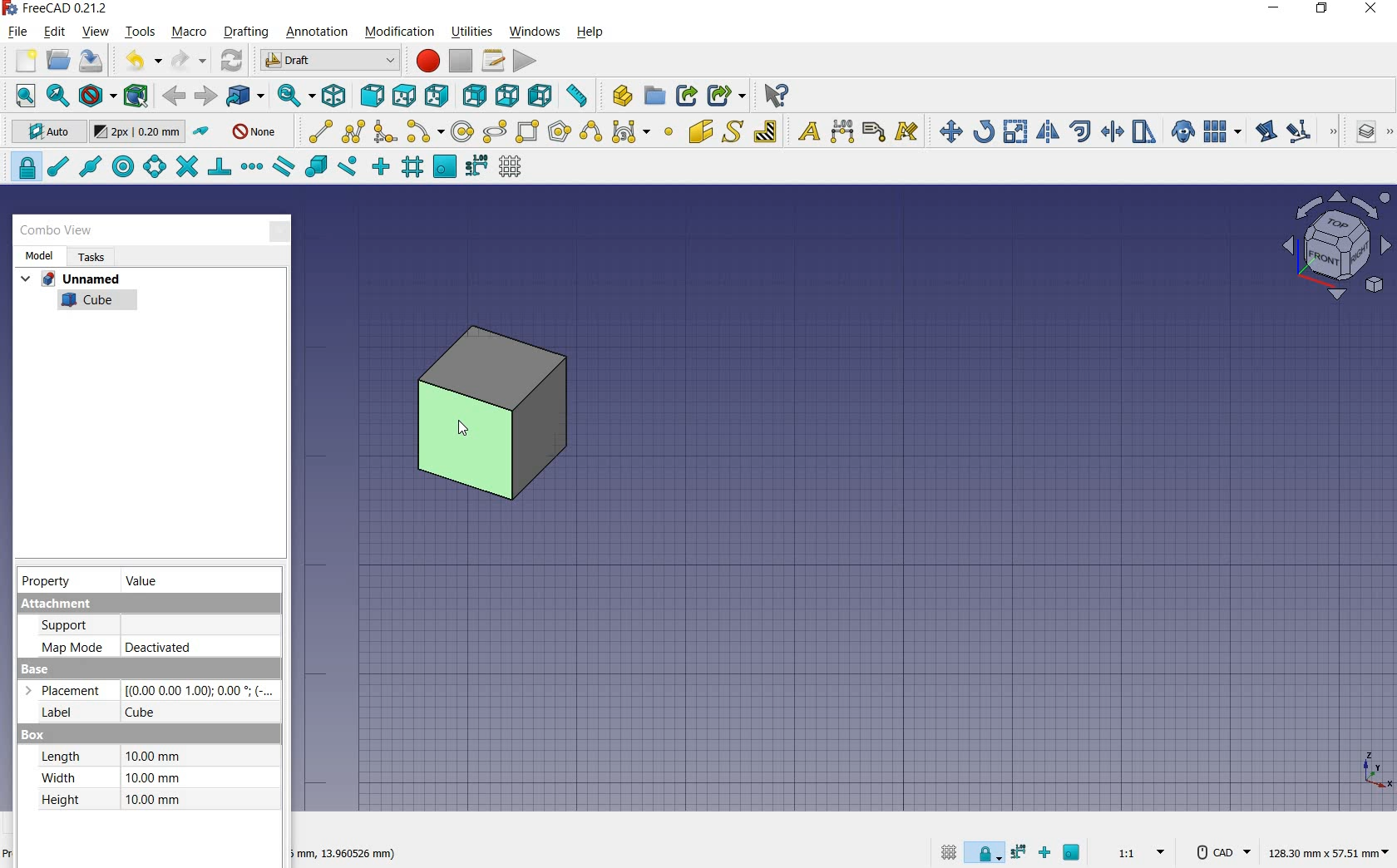 This screenshot has height=868, width=1397. Describe the element at coordinates (32, 735) in the screenshot. I see `Box` at that location.